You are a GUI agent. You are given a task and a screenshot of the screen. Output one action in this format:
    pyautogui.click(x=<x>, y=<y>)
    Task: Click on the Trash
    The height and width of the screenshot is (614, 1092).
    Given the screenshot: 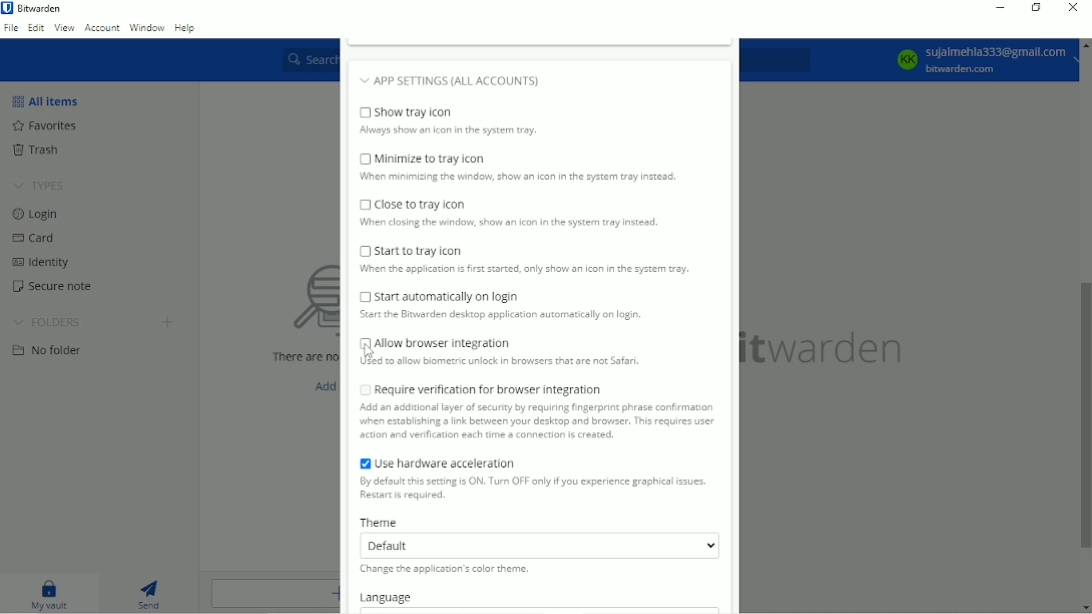 What is the action you would take?
    pyautogui.click(x=36, y=150)
    